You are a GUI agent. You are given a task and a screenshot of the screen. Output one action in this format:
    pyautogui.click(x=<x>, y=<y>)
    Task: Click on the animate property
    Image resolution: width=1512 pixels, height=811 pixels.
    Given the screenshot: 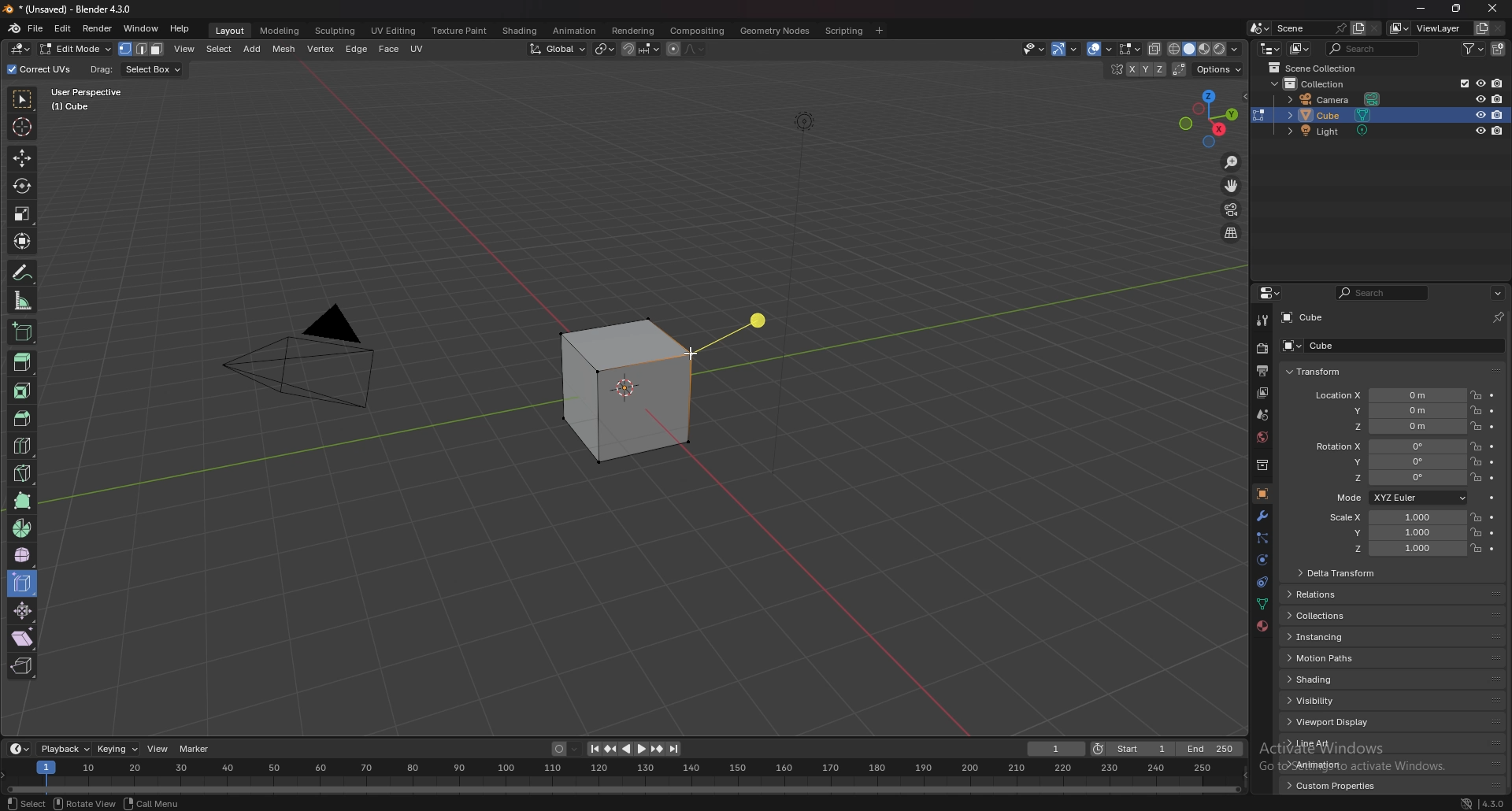 What is the action you would take?
    pyautogui.click(x=1492, y=549)
    